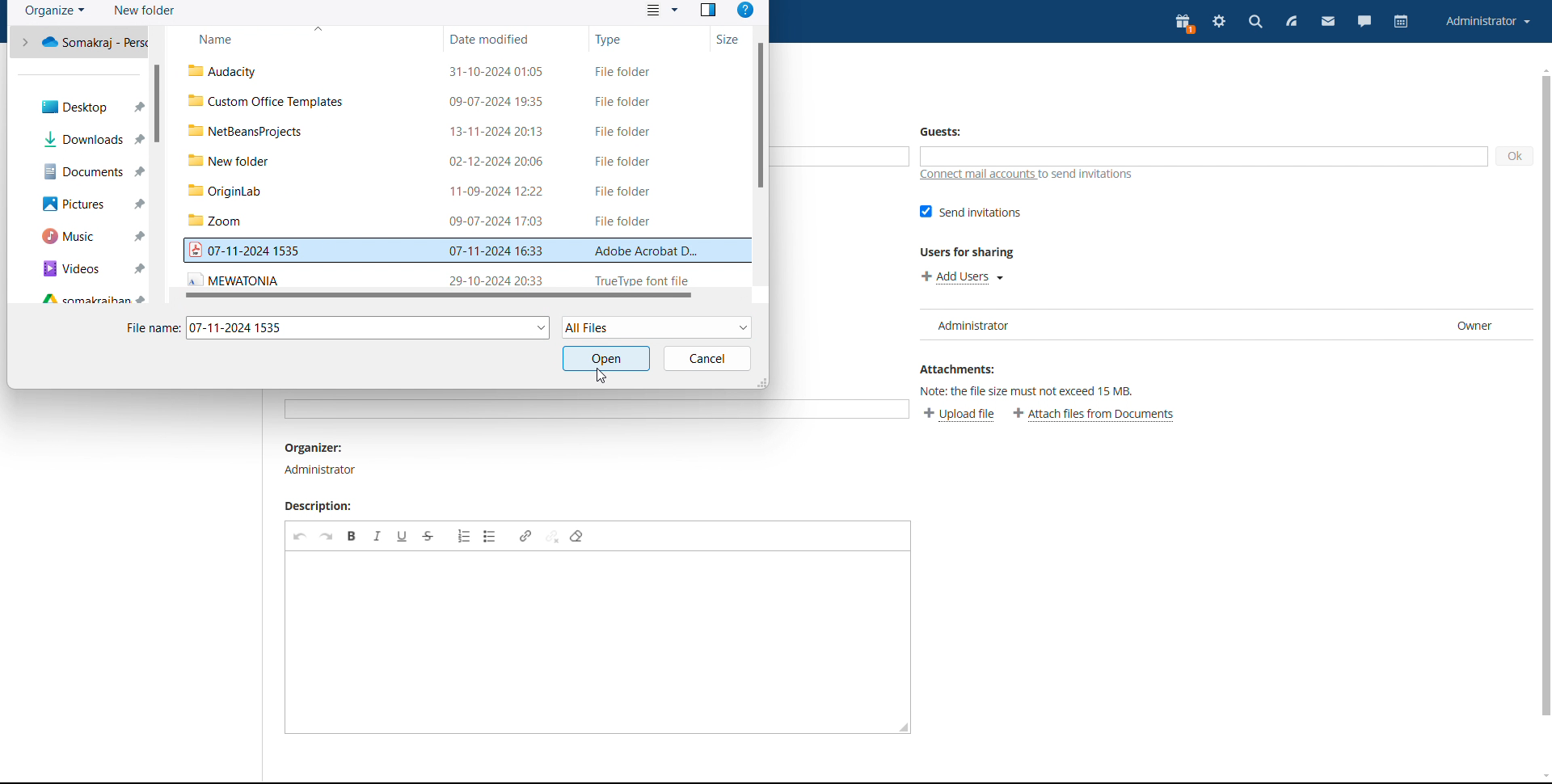 This screenshot has height=784, width=1552. What do you see at coordinates (94, 267) in the screenshot?
I see `` at bounding box center [94, 267].